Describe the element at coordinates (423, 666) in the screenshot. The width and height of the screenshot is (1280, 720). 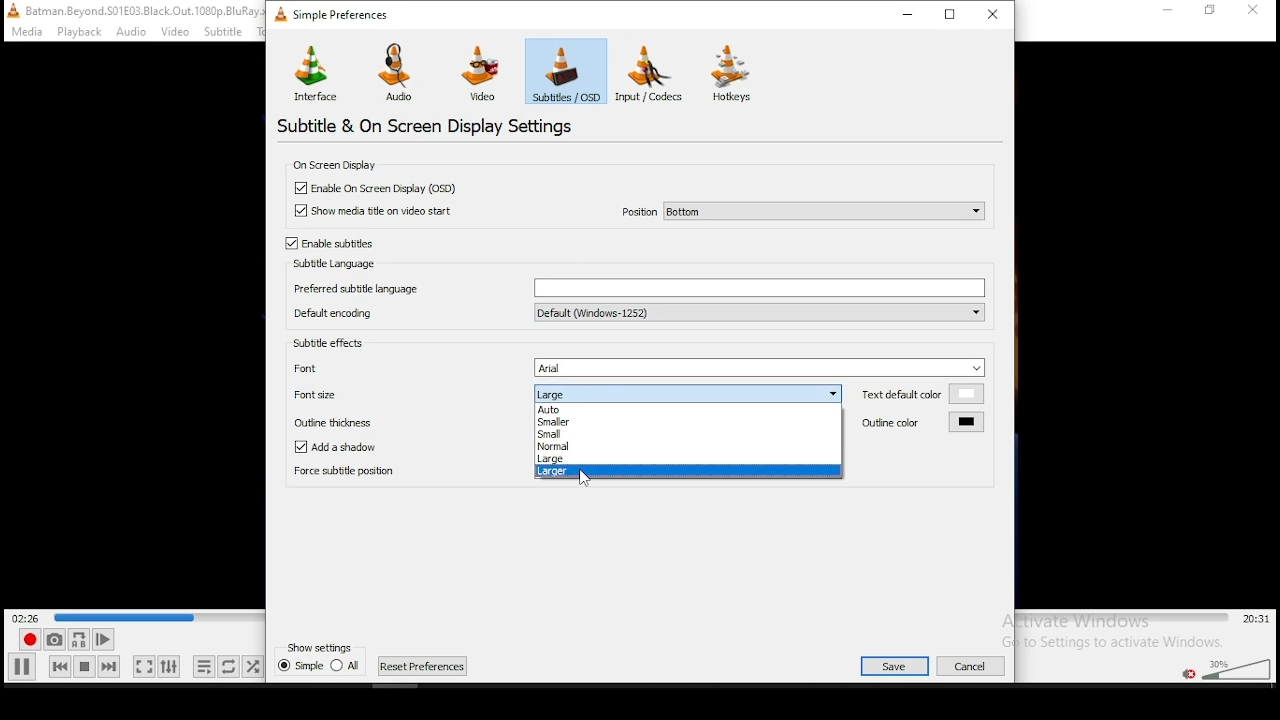
I see `reset preferences` at that location.